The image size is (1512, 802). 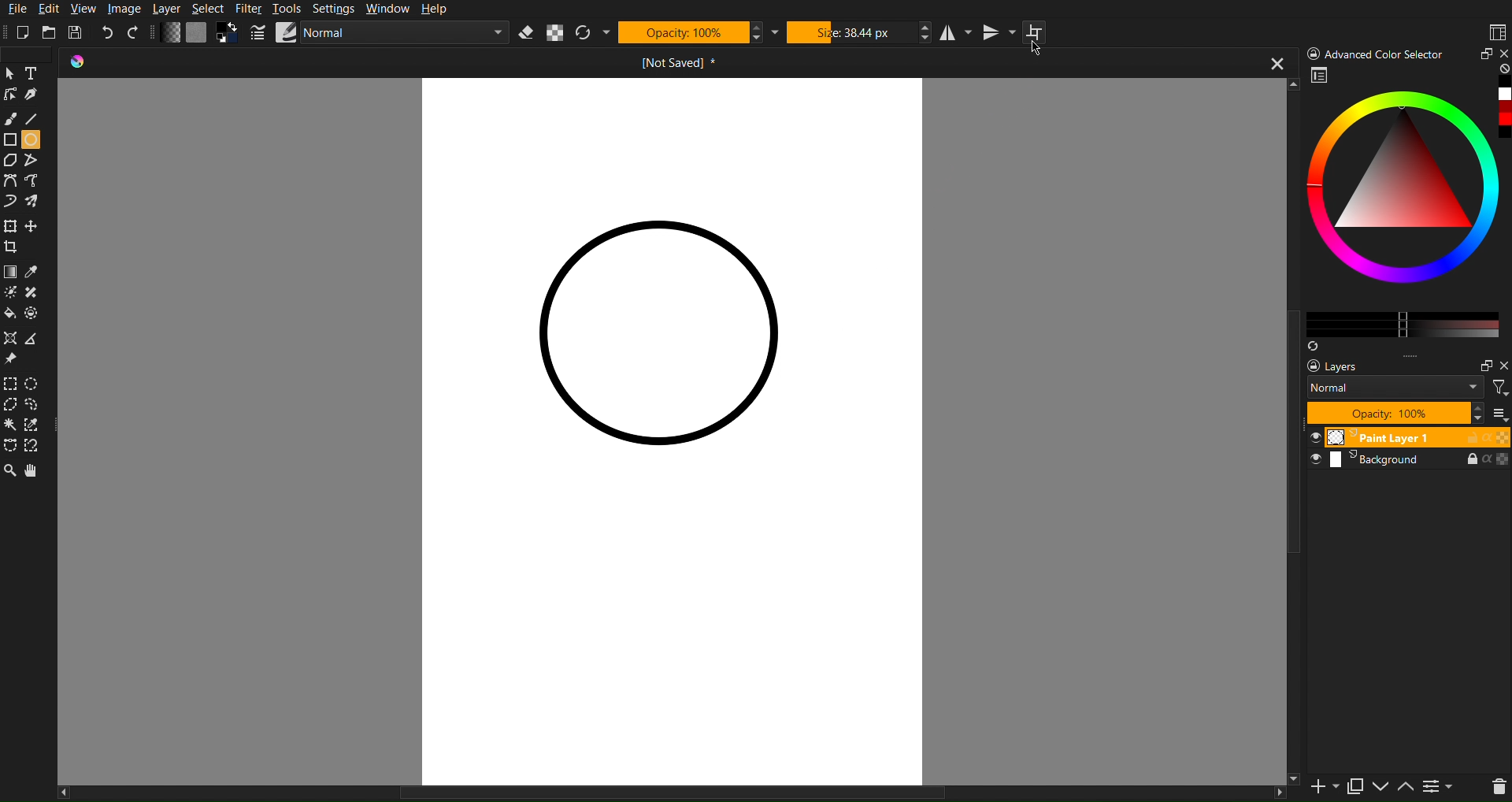 I want to click on contrace, so click(x=1443, y=786).